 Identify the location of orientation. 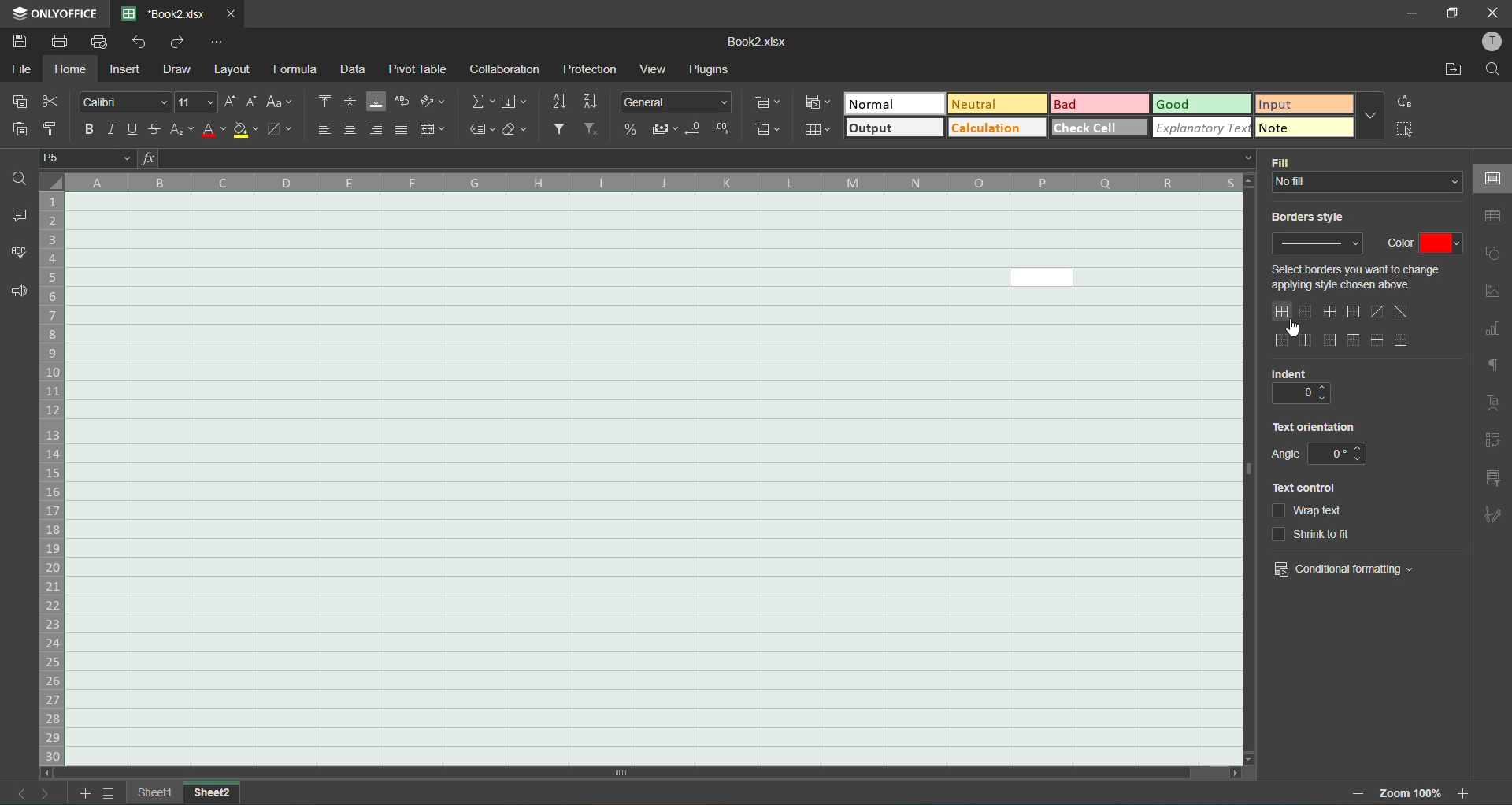
(432, 102).